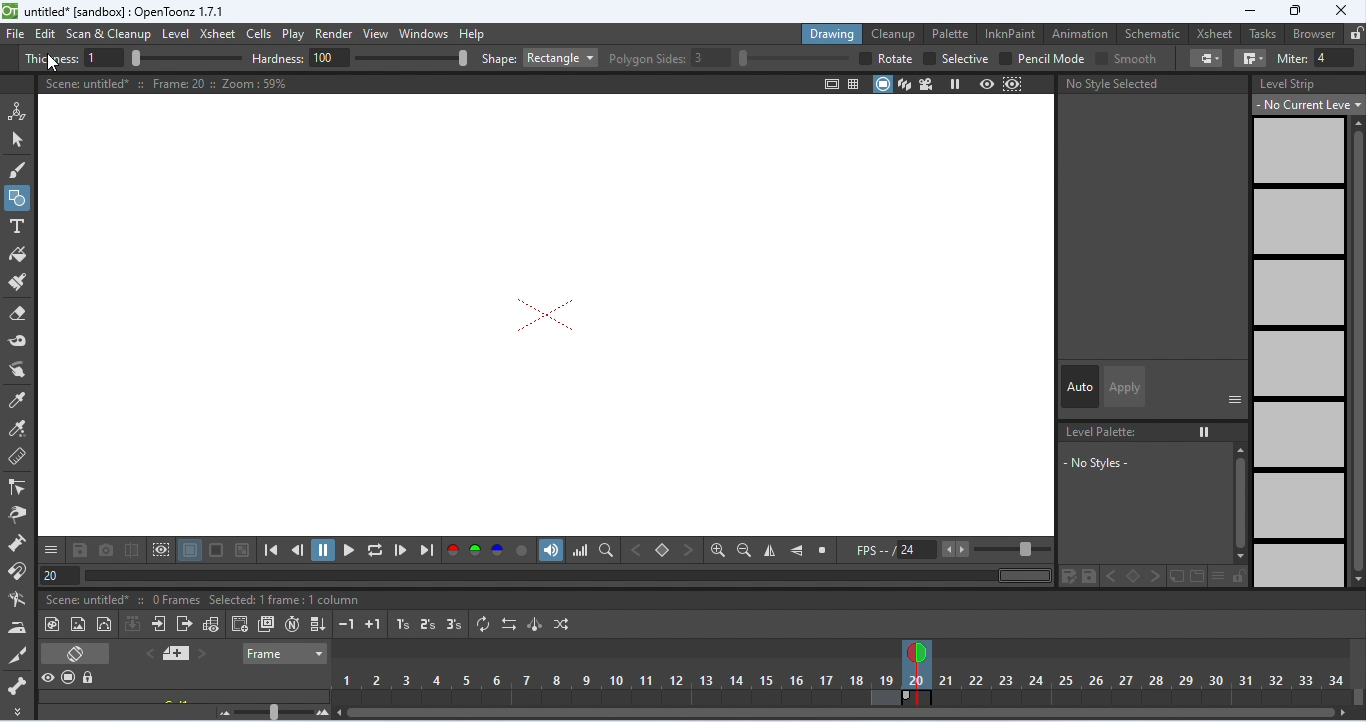 This screenshot has height=722, width=1366. Describe the element at coordinates (271, 713) in the screenshot. I see `zoom factor` at that location.